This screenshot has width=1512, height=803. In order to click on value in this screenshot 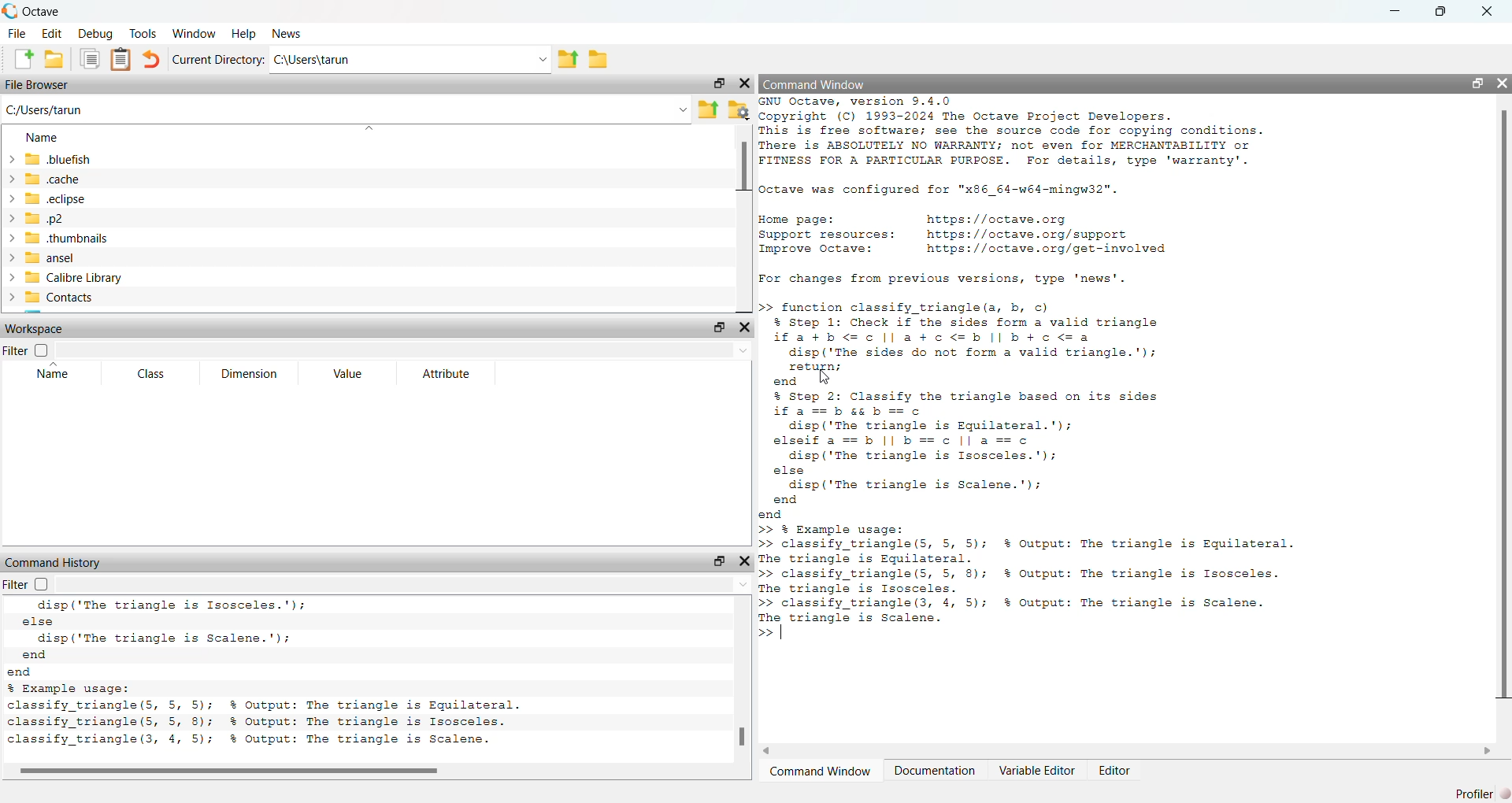, I will do `click(353, 374)`.